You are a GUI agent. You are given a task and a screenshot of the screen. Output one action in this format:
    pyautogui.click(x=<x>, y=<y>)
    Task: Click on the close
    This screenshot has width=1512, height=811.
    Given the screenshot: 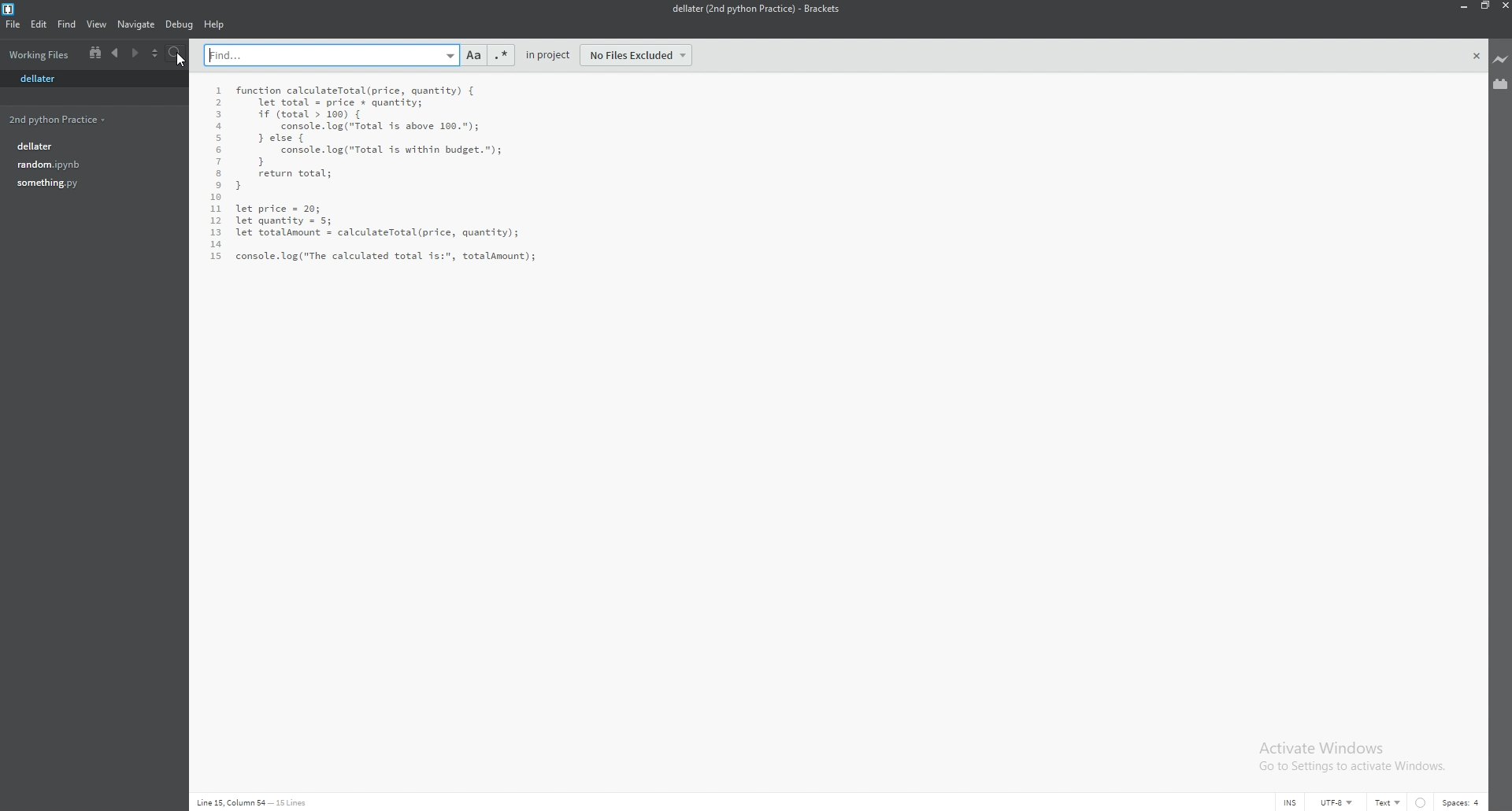 What is the action you would take?
    pyautogui.click(x=1477, y=56)
    